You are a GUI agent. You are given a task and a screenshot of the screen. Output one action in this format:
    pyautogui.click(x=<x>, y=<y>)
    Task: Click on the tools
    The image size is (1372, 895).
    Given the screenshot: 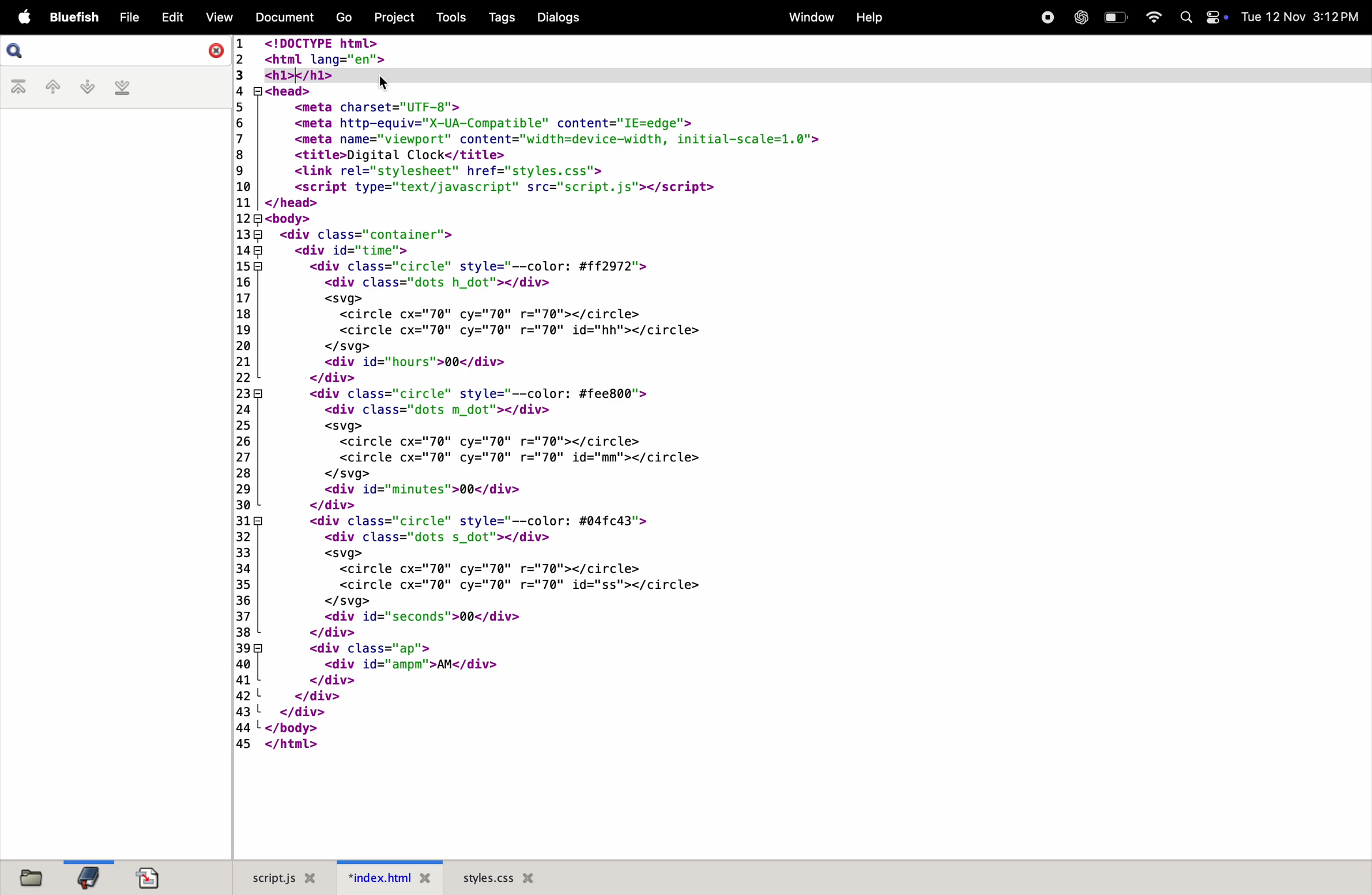 What is the action you would take?
    pyautogui.click(x=447, y=17)
    